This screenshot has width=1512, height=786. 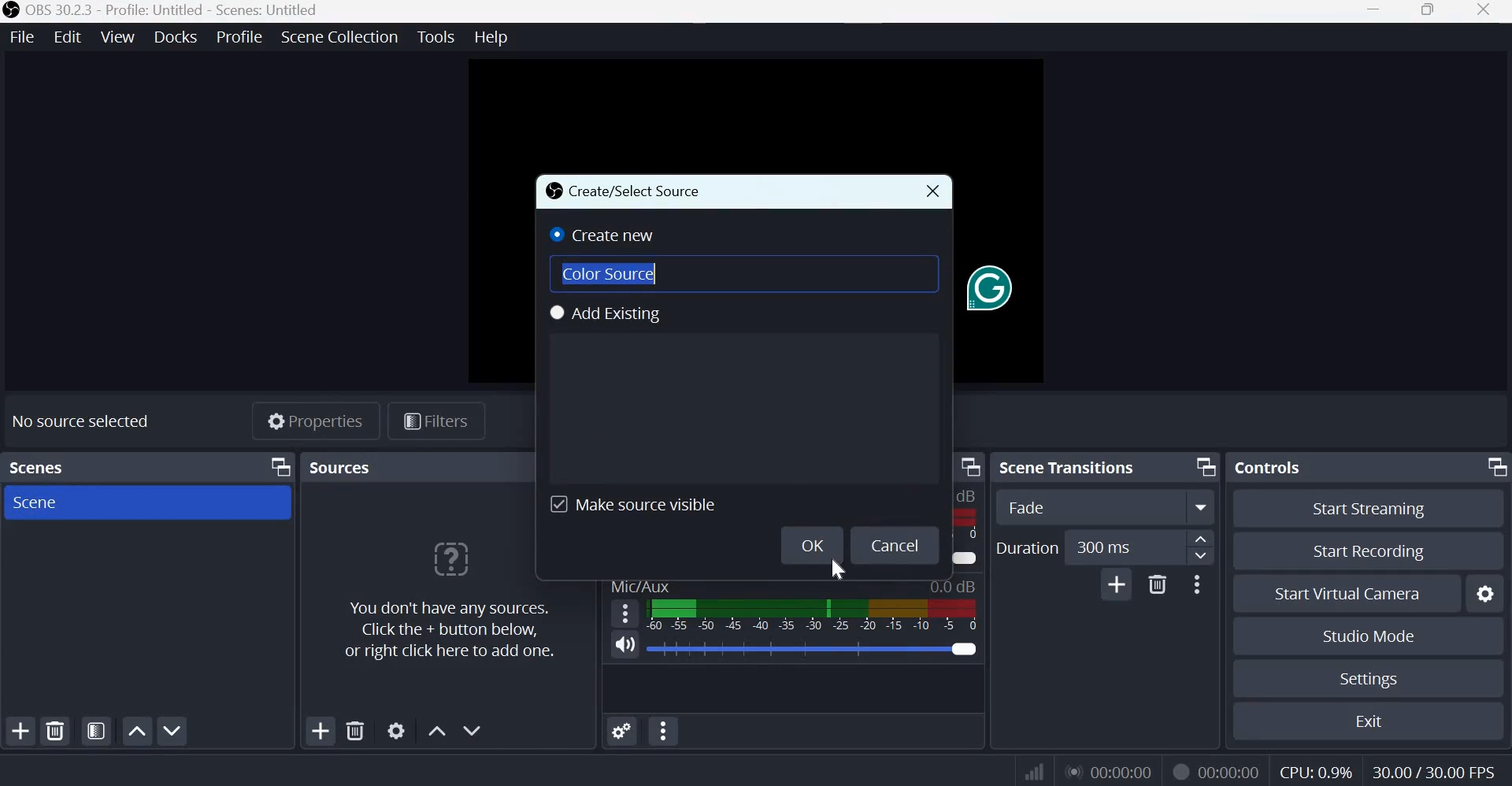 I want to click on Profile, so click(x=238, y=36).